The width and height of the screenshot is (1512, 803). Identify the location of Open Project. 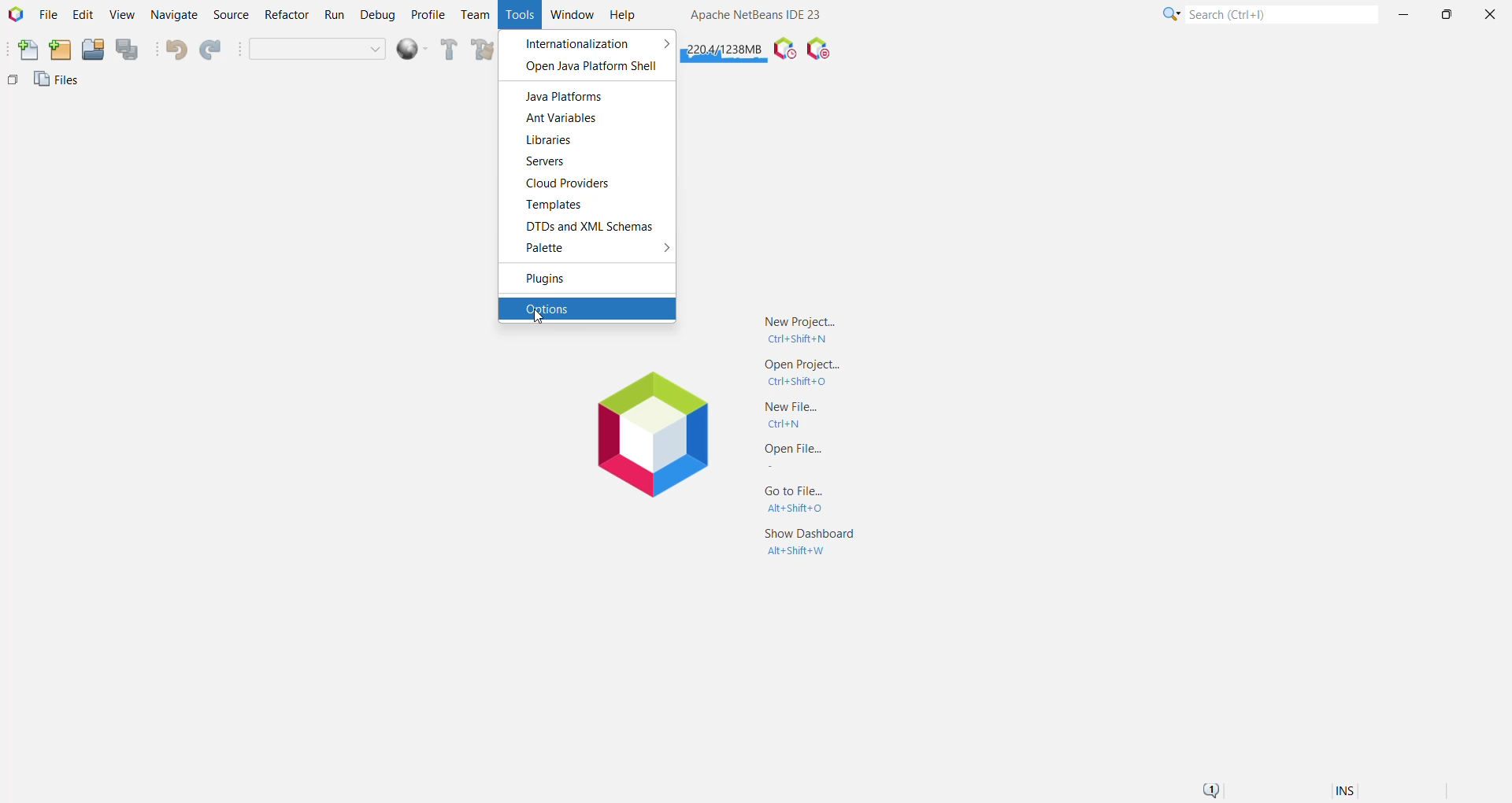
(92, 50).